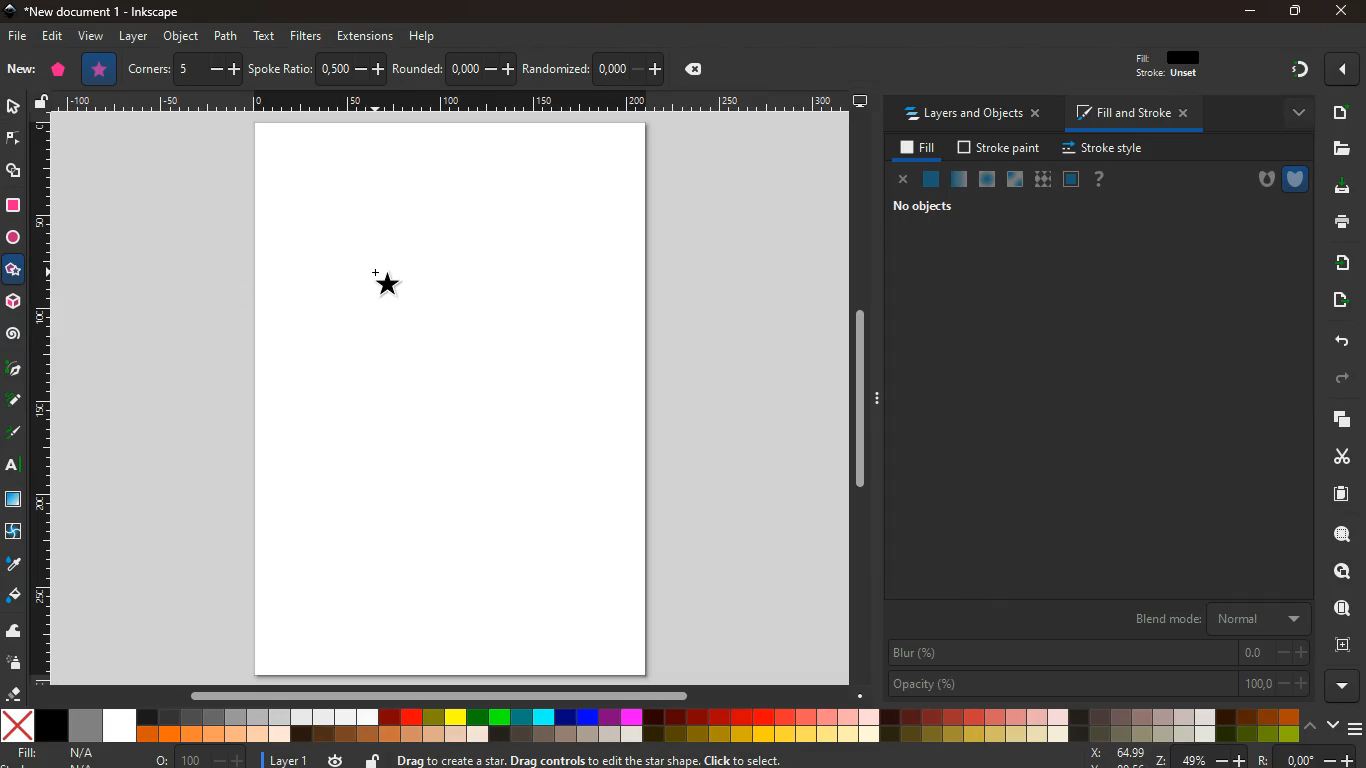 The image size is (1366, 768). What do you see at coordinates (15, 238) in the screenshot?
I see `circle` at bounding box center [15, 238].